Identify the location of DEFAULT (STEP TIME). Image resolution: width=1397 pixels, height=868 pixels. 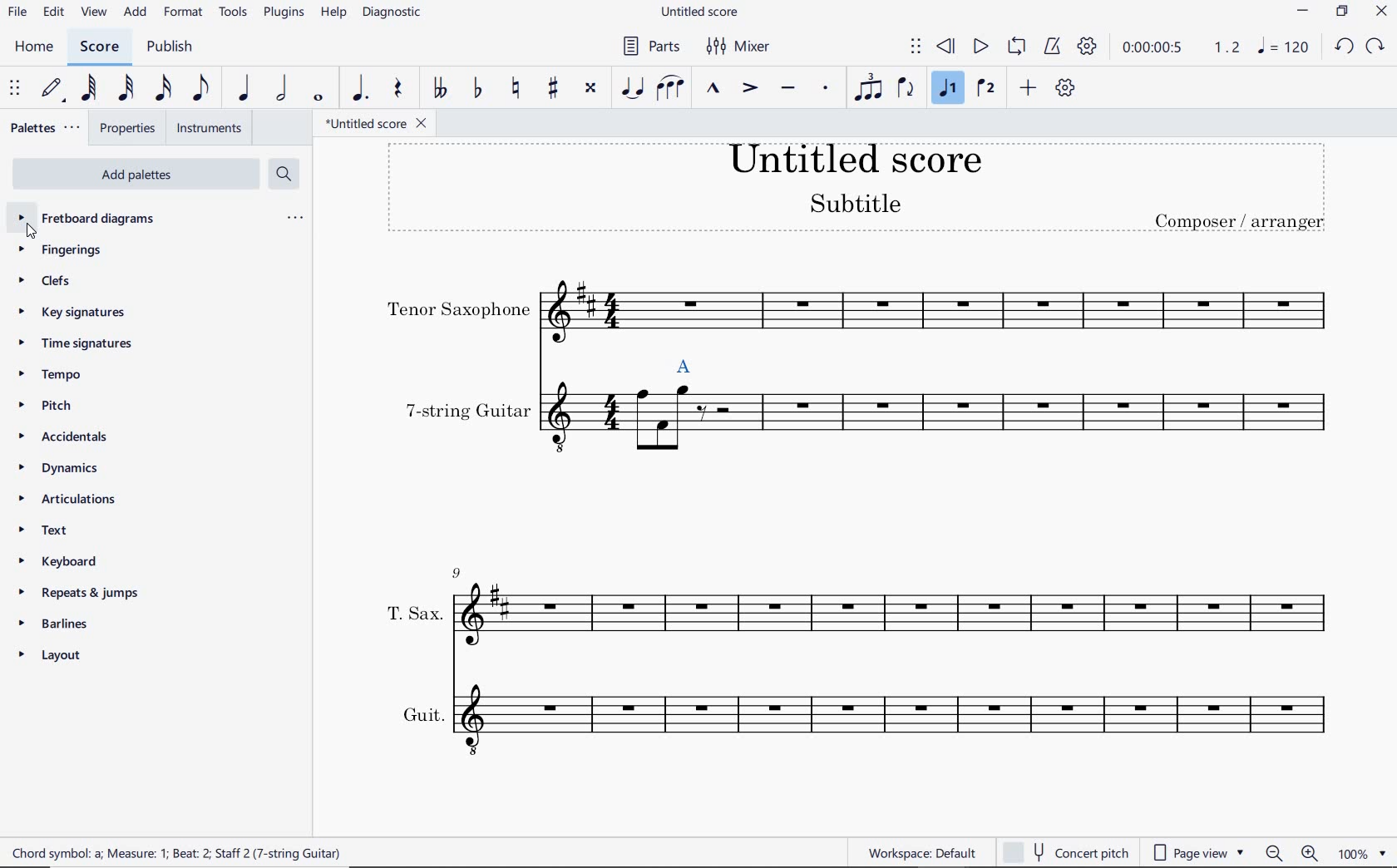
(52, 91).